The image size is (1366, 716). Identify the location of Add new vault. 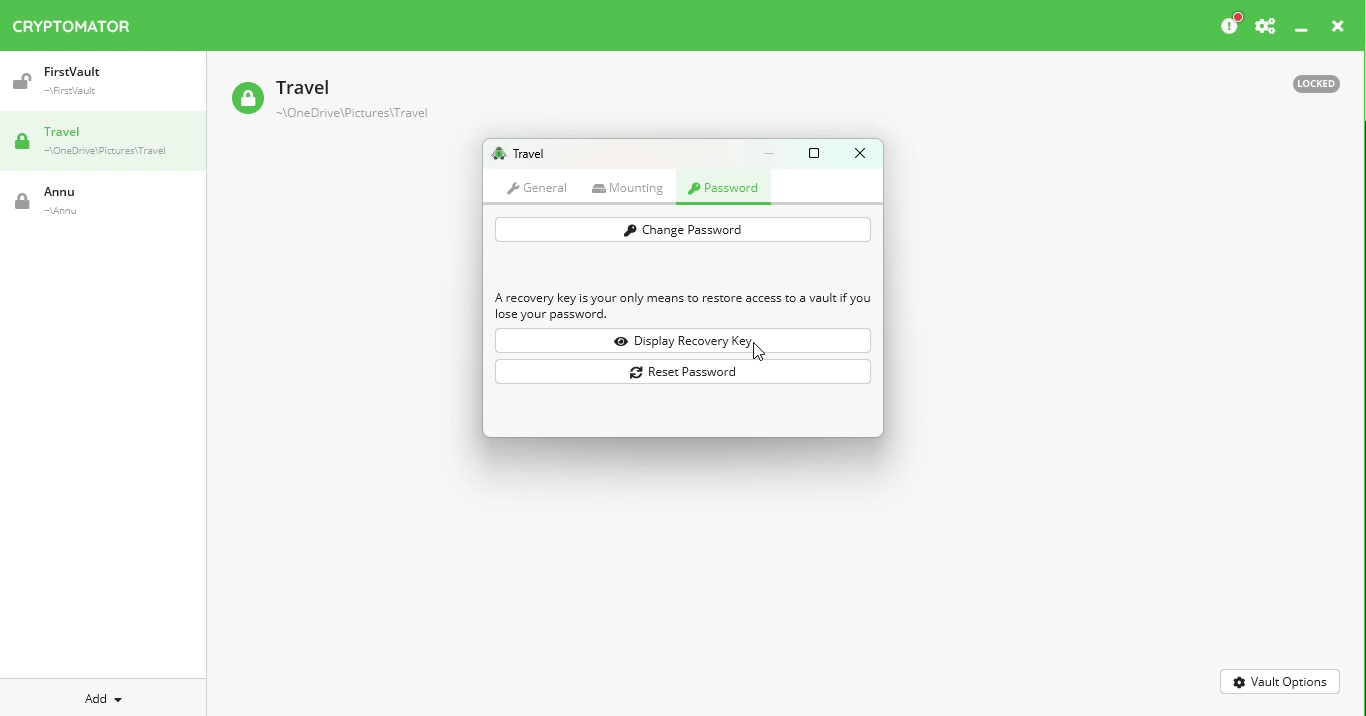
(104, 696).